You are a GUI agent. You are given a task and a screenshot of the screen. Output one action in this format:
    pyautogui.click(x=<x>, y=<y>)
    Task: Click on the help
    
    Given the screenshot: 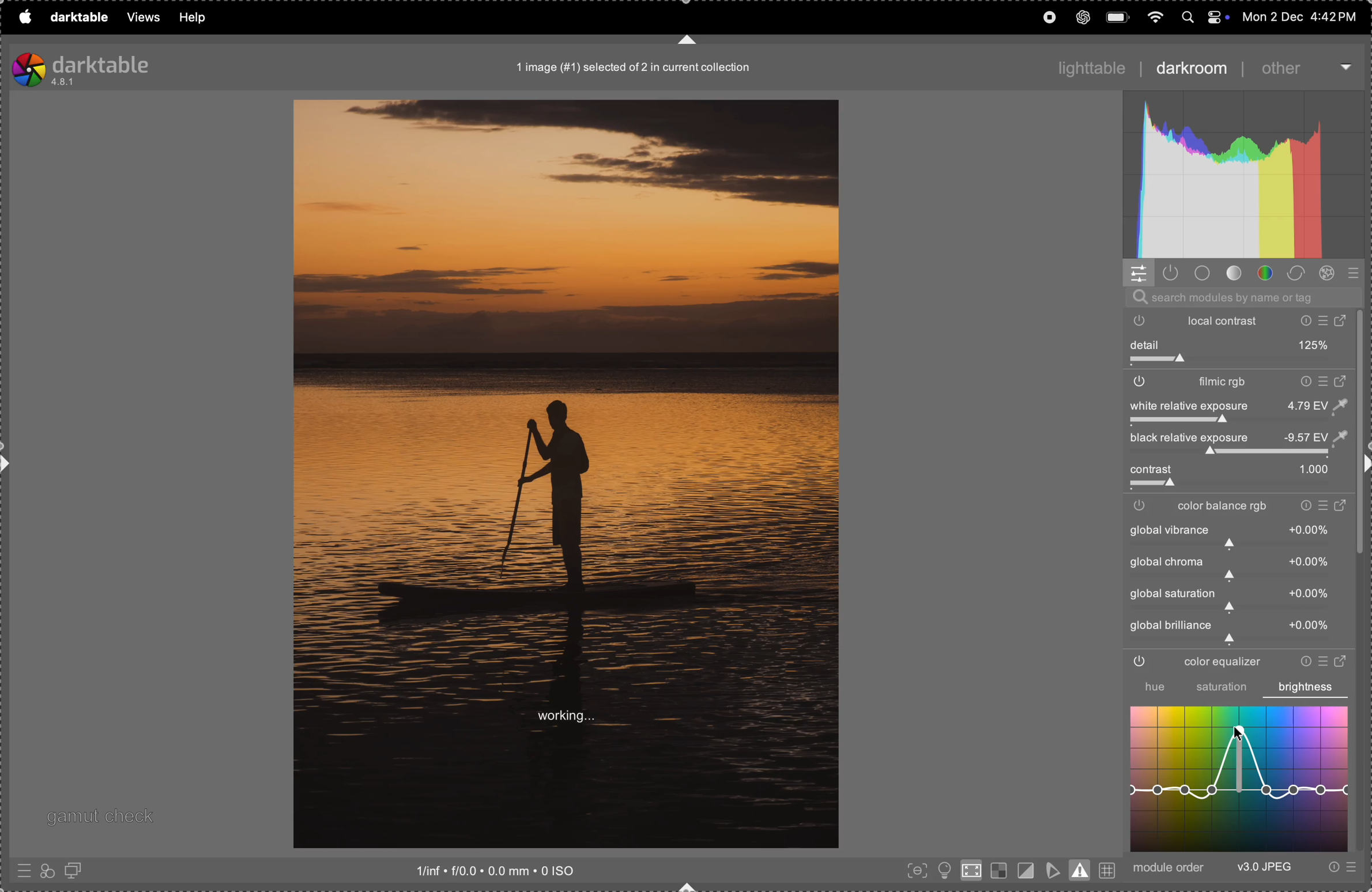 What is the action you would take?
    pyautogui.click(x=193, y=17)
    